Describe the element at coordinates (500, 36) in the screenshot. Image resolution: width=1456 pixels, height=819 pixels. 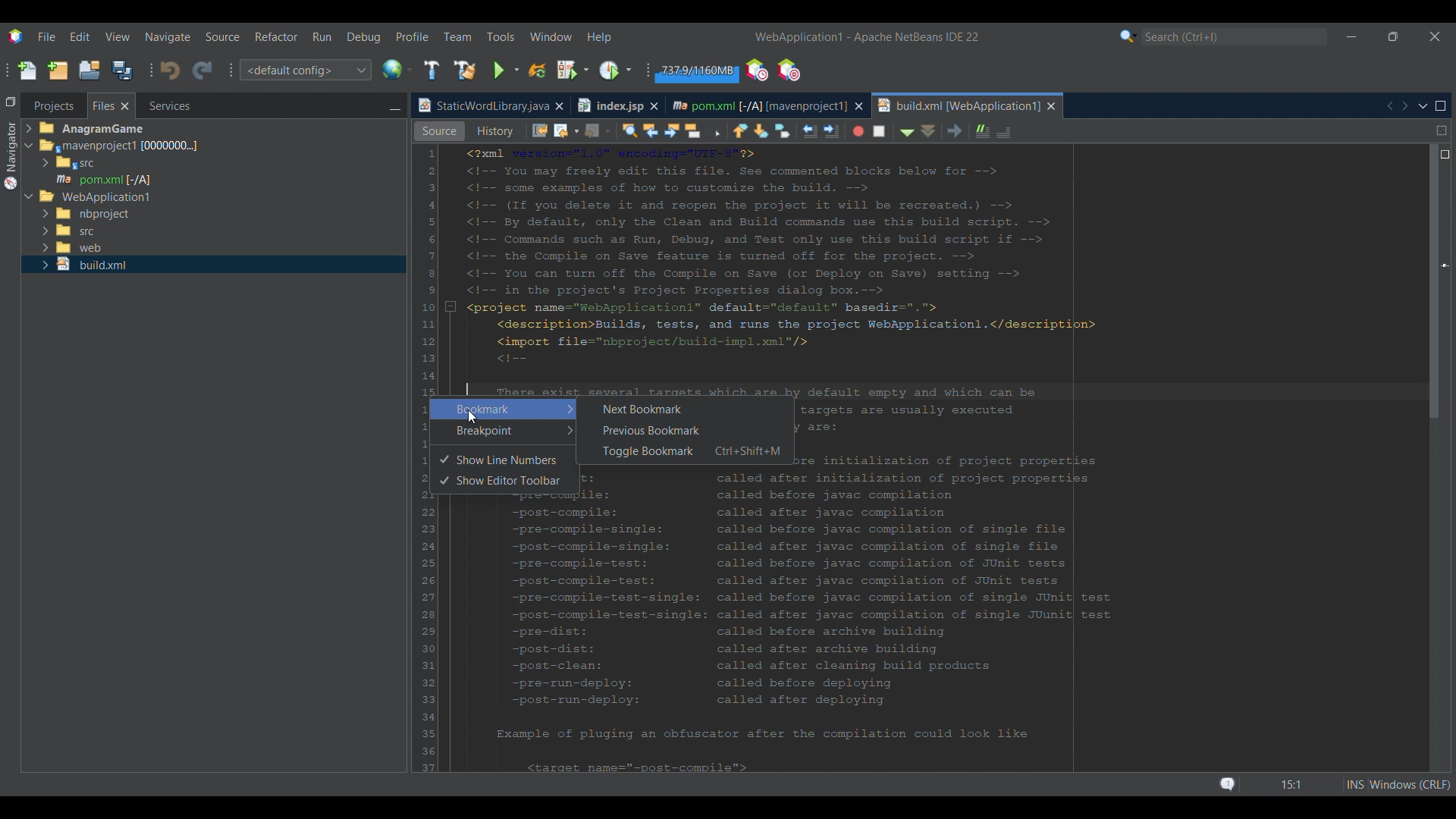
I see `Tools menu` at that location.